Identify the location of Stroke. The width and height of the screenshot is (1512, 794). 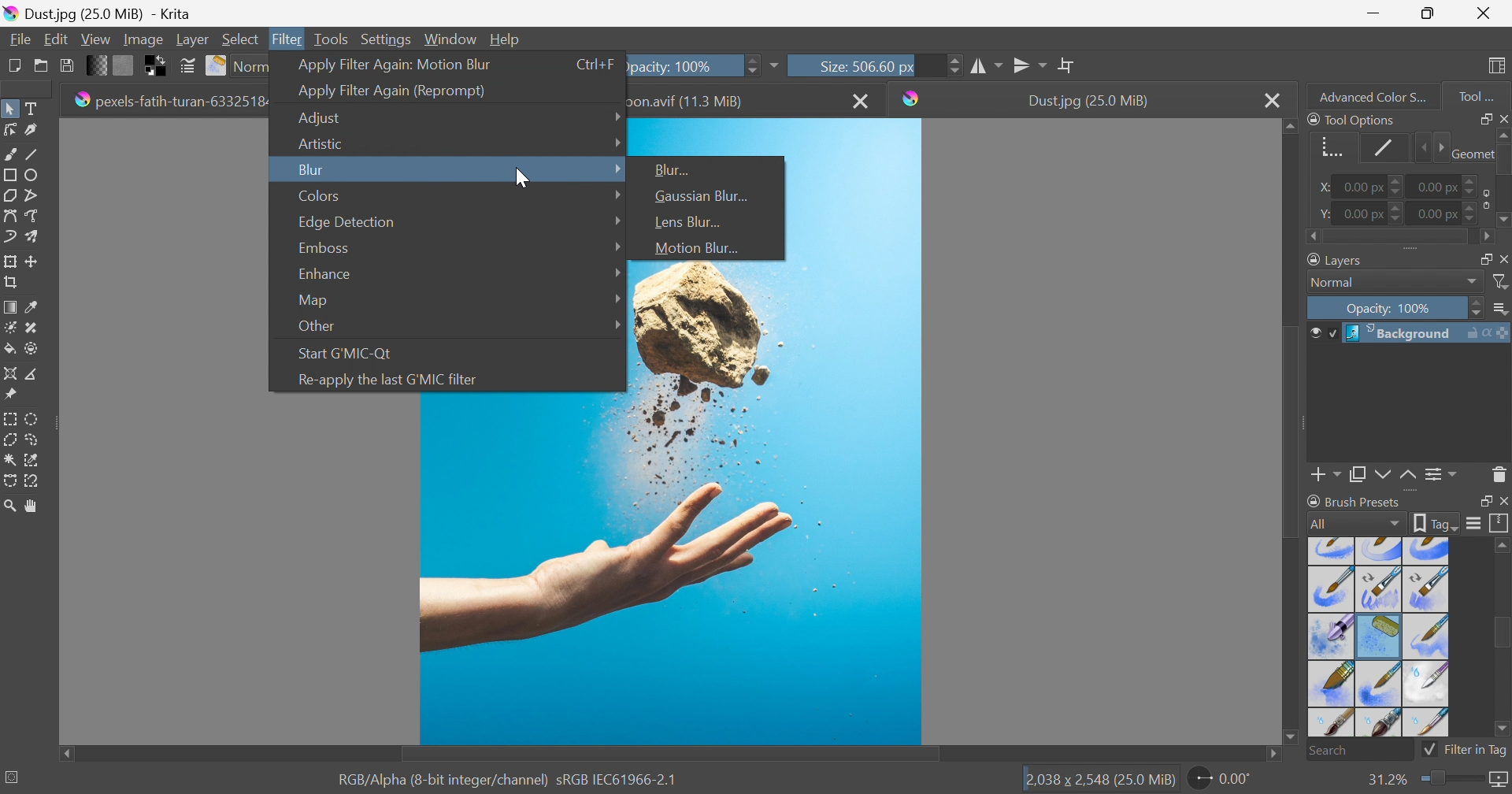
(1384, 147).